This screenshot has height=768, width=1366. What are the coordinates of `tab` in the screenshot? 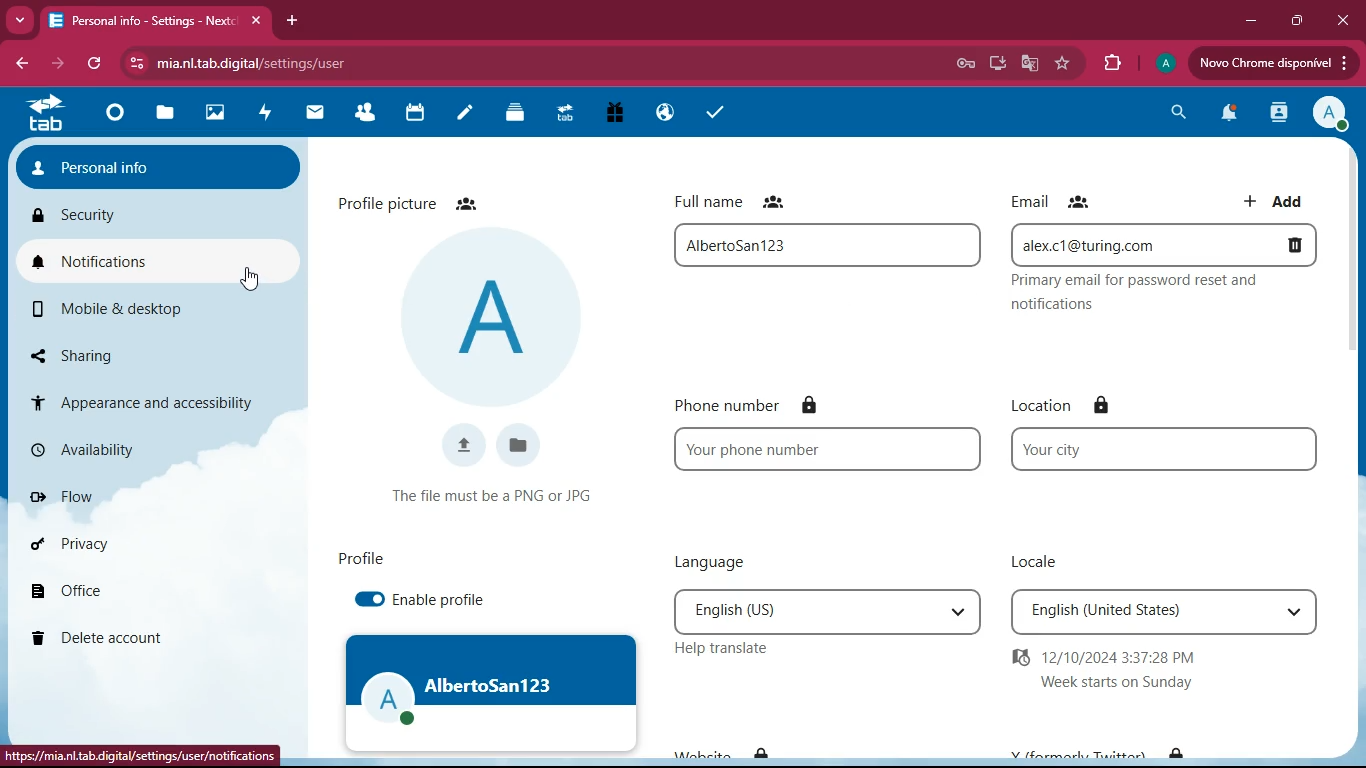 It's located at (154, 18).